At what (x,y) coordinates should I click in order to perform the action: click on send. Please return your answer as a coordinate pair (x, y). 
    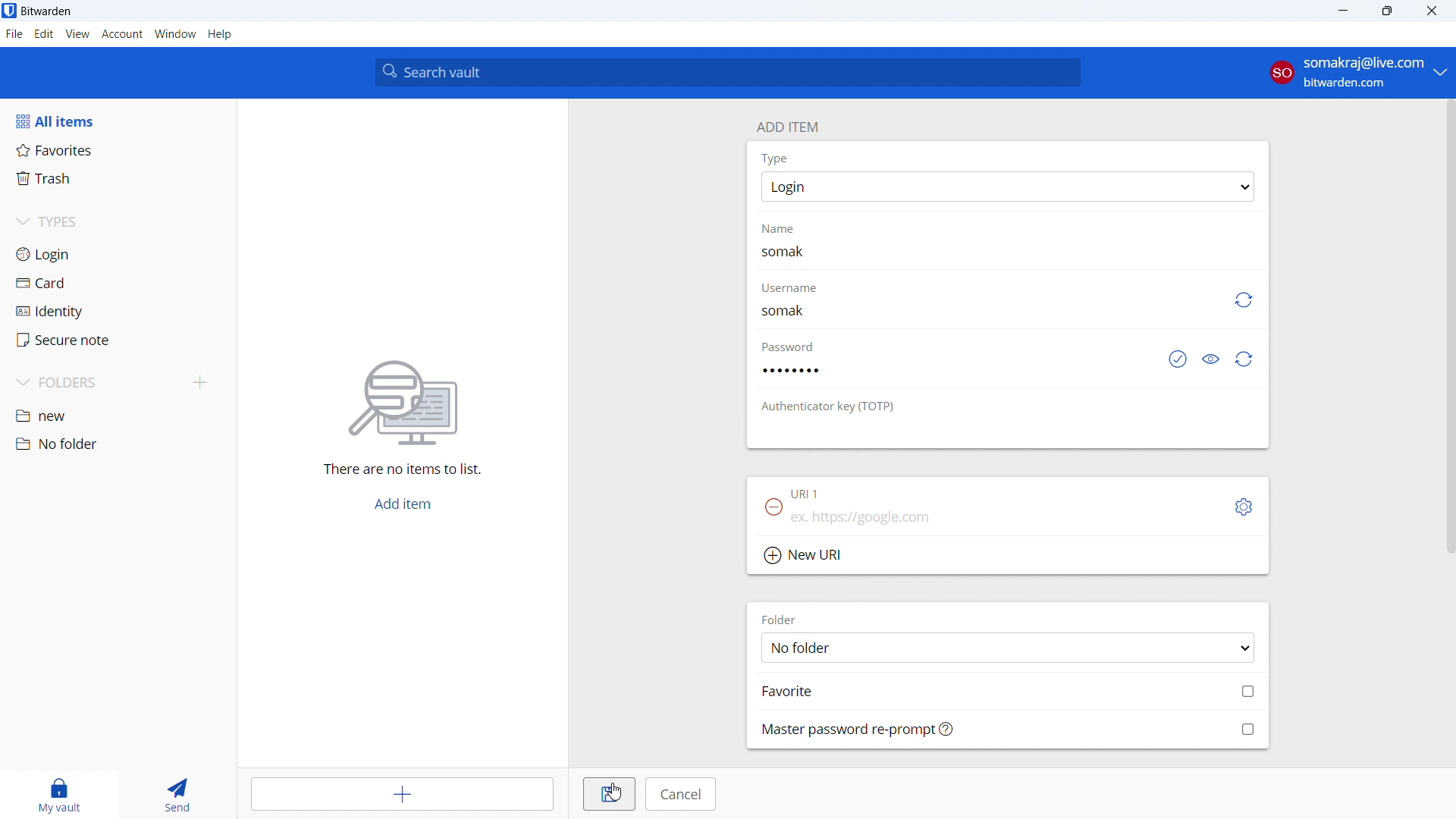
    Looking at the image, I should click on (175, 795).